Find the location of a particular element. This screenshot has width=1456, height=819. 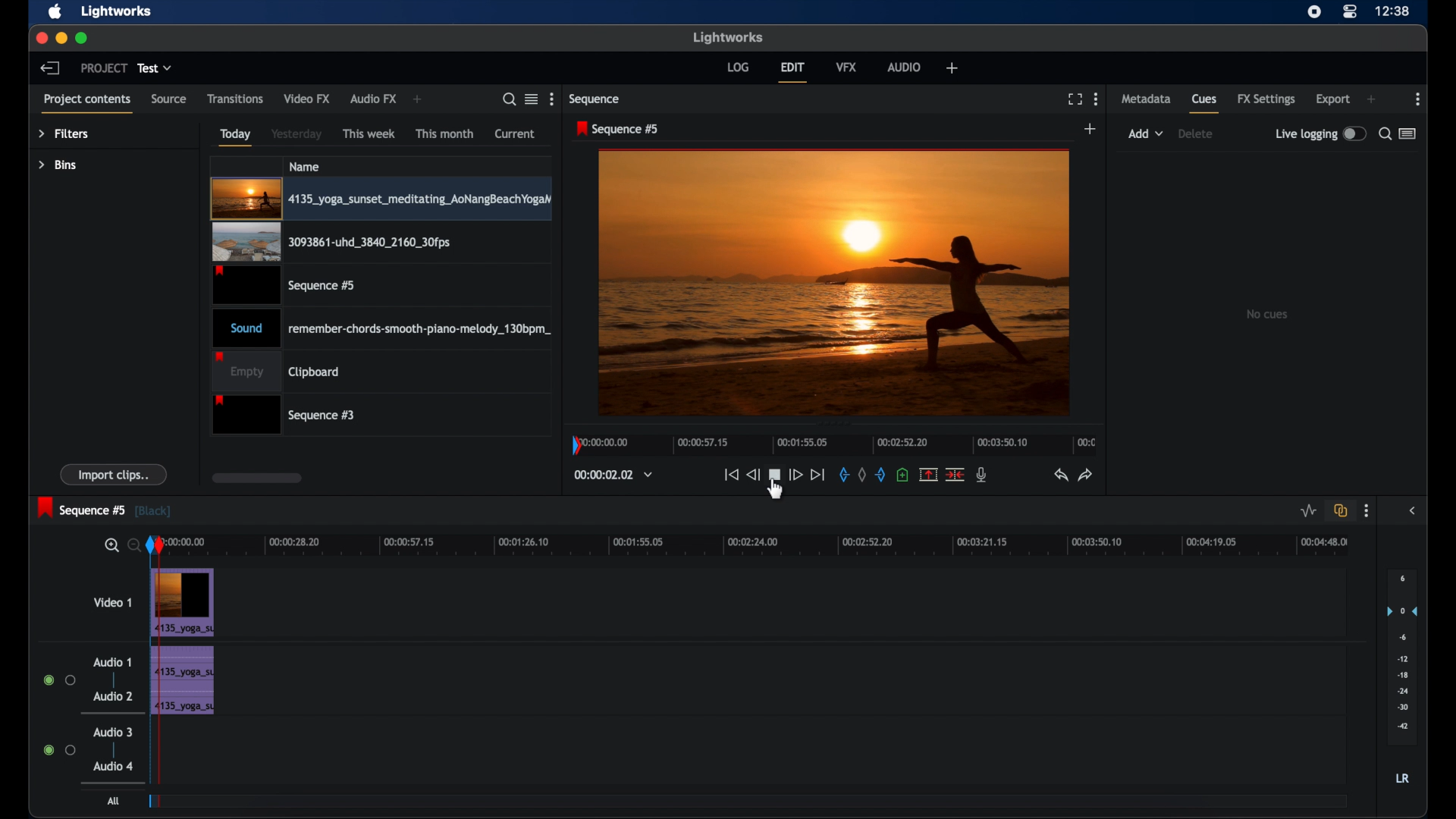

out mark is located at coordinates (879, 474).